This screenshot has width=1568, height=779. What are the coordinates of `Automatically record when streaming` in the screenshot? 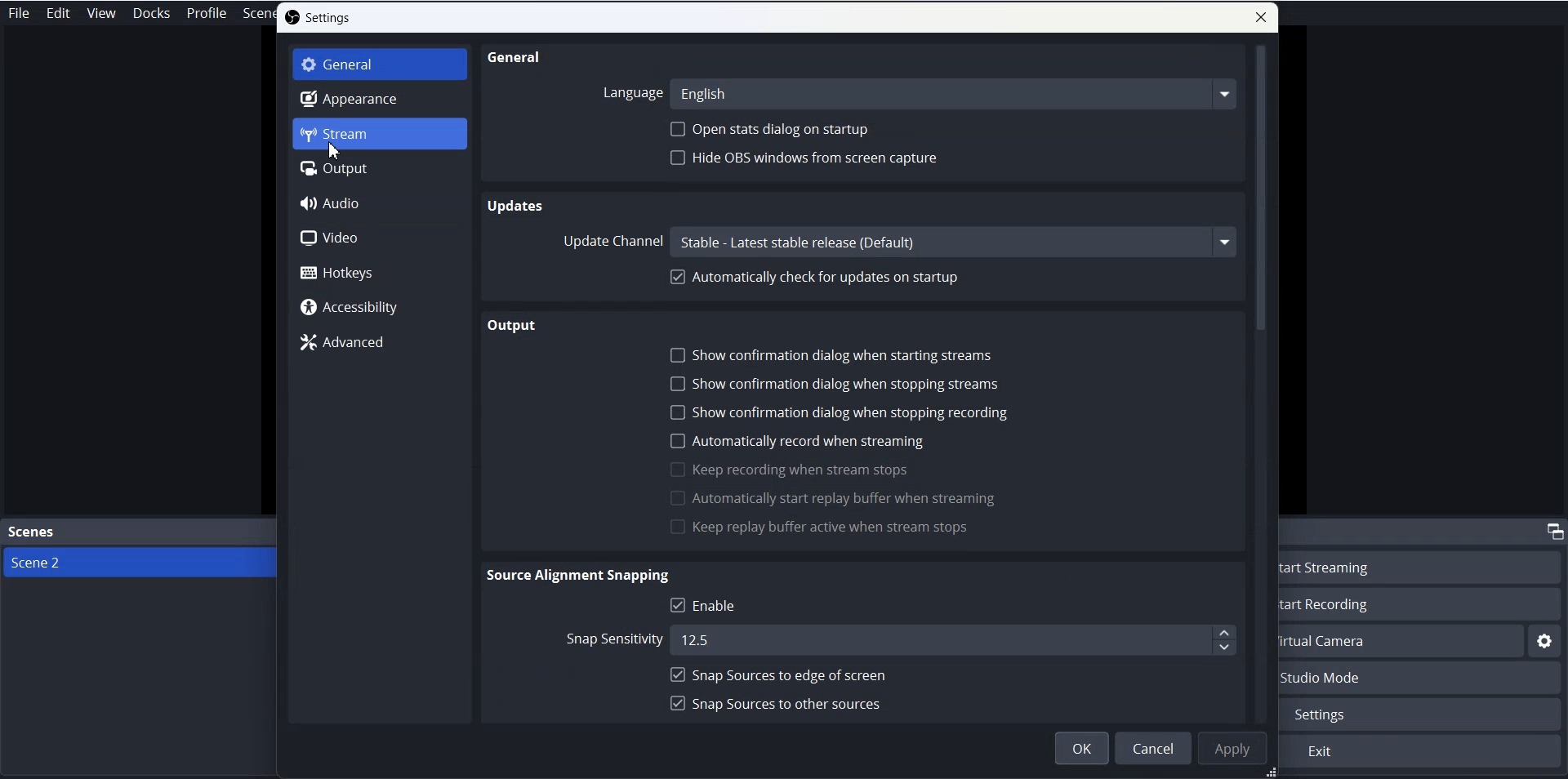 It's located at (797, 440).